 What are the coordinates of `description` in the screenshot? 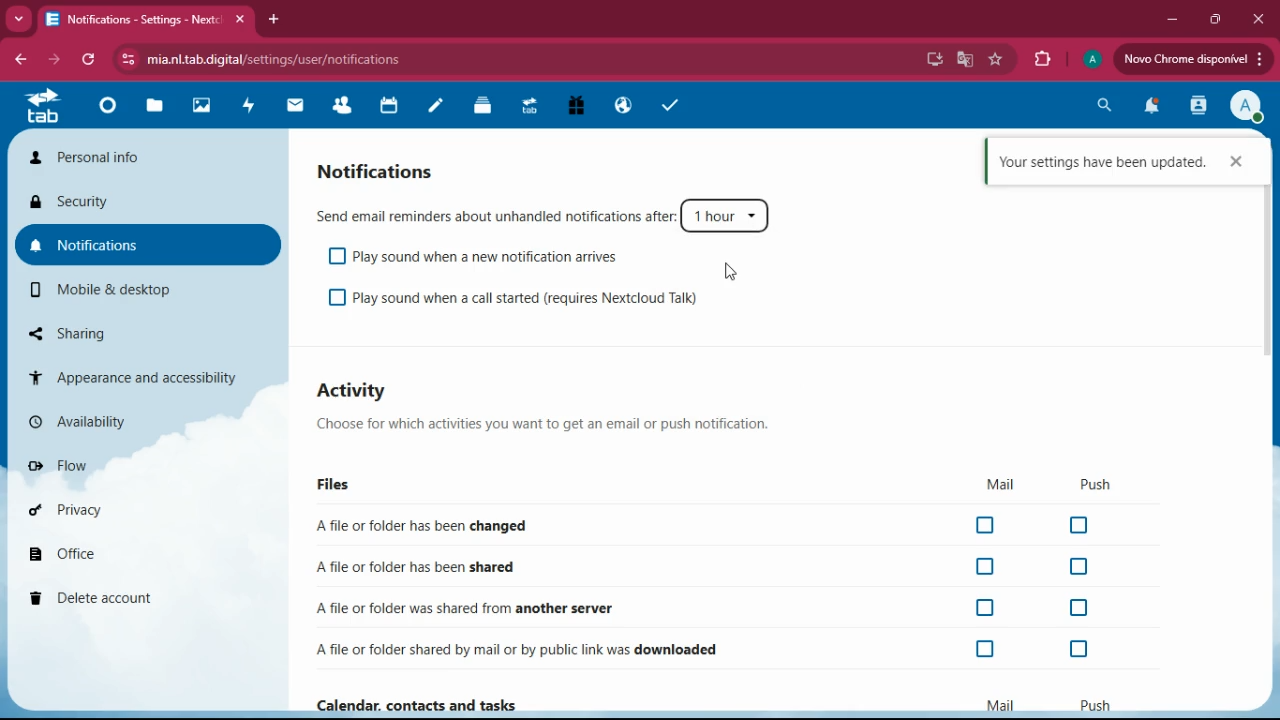 It's located at (558, 423).